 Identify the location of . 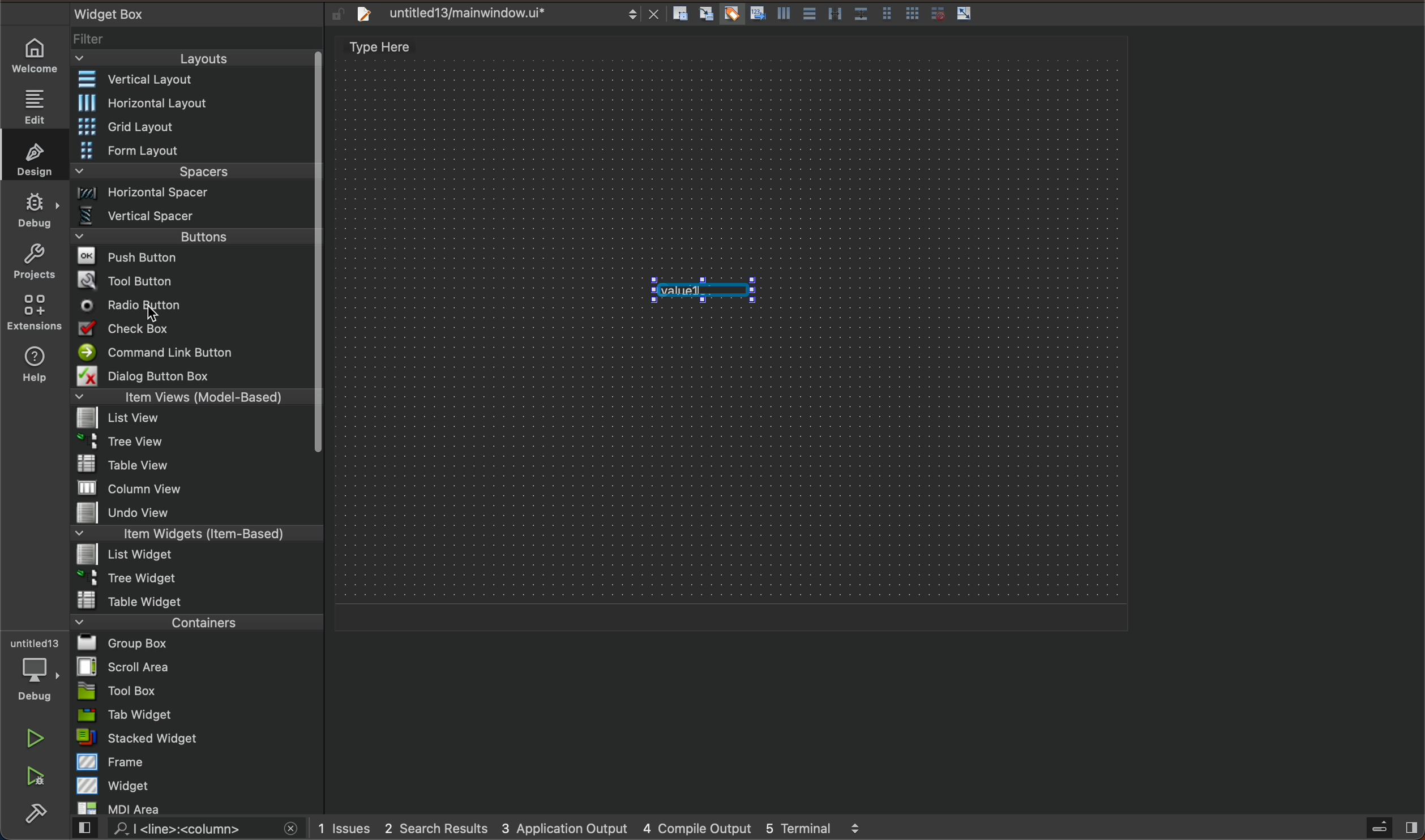
(756, 15).